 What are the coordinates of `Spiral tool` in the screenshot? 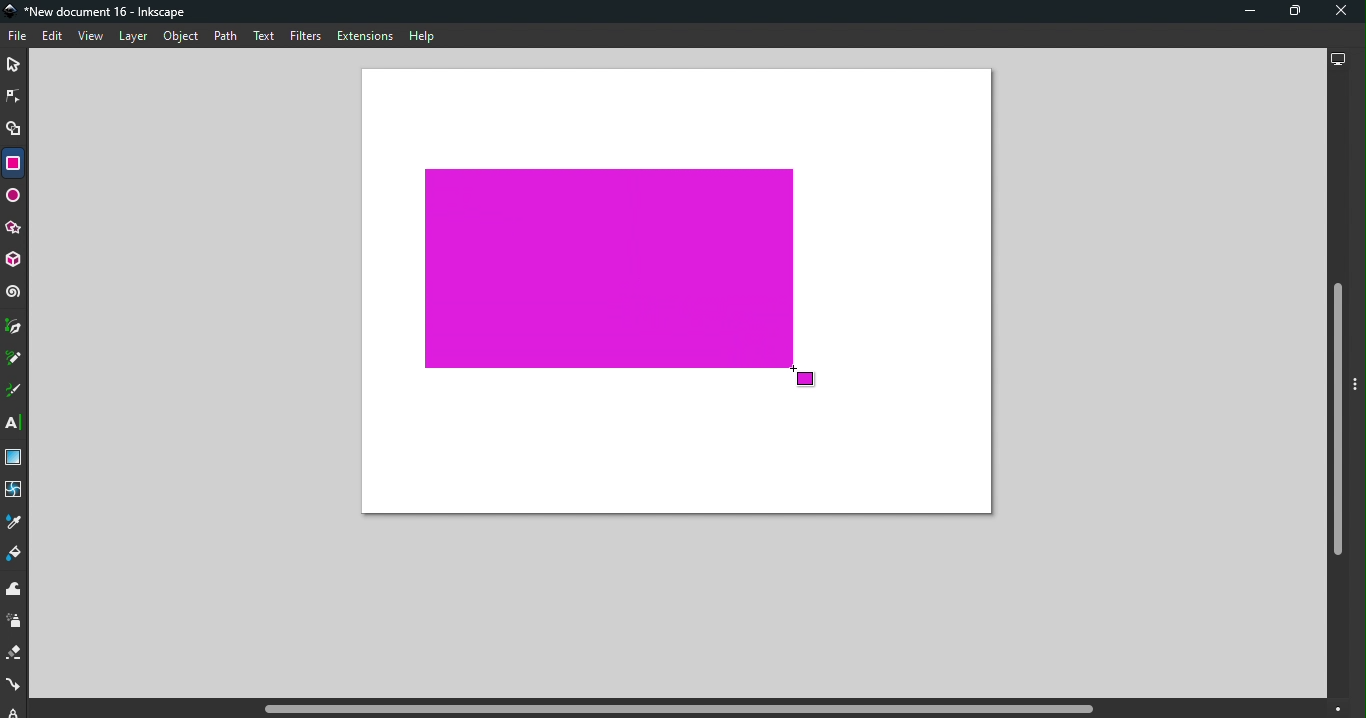 It's located at (14, 292).